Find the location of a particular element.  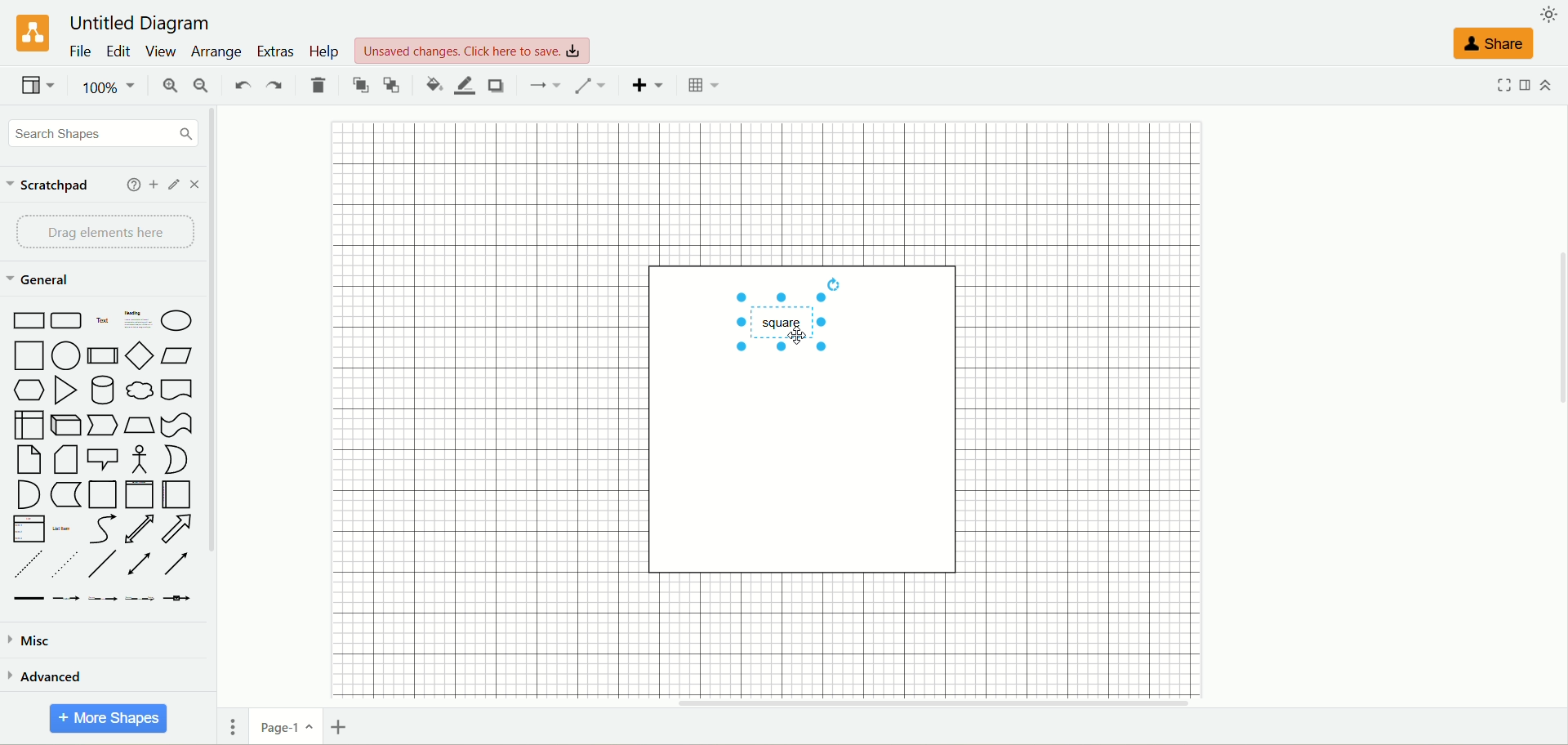

connection is located at coordinates (548, 87).